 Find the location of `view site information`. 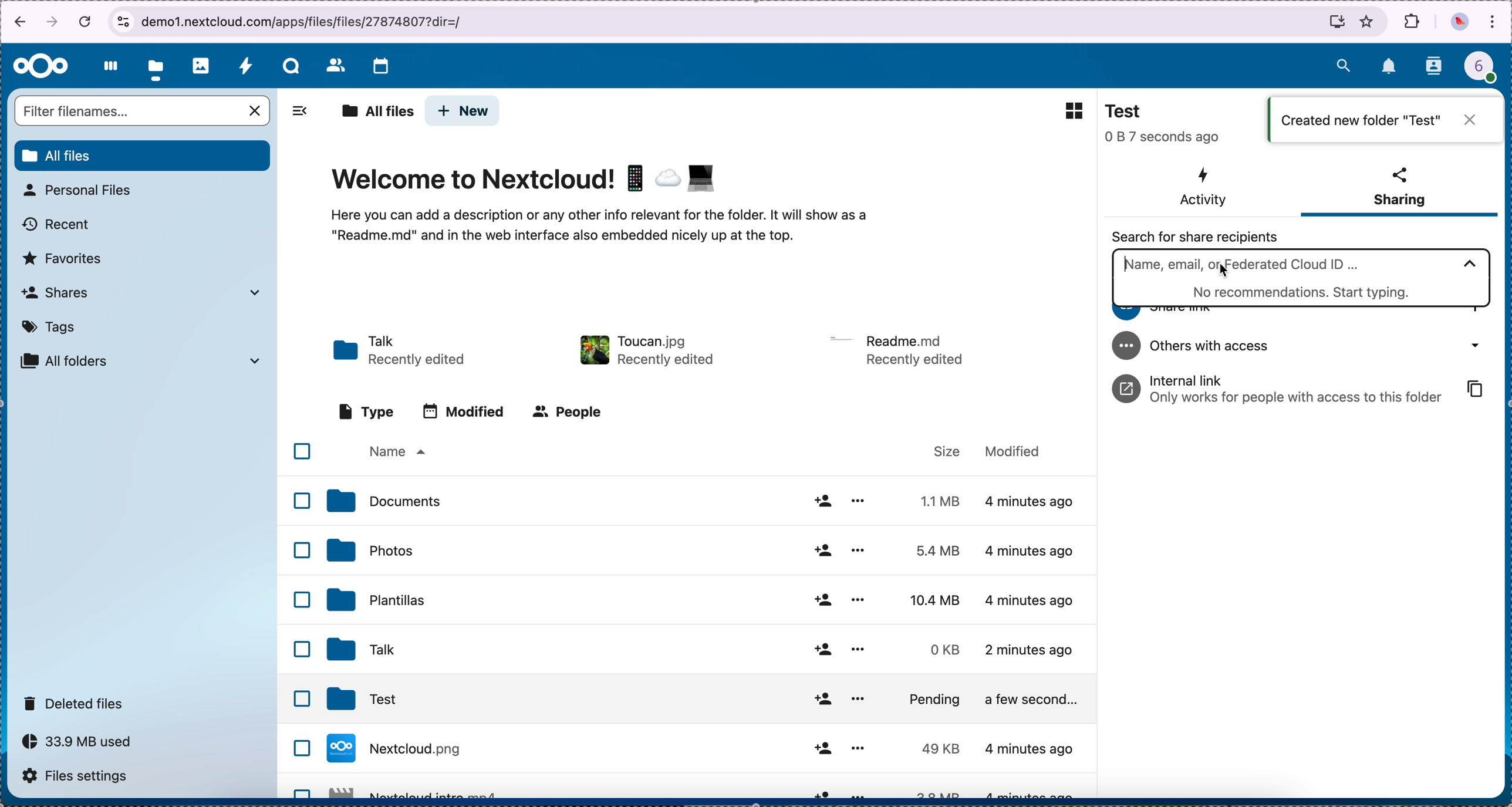

view site information is located at coordinates (123, 22).